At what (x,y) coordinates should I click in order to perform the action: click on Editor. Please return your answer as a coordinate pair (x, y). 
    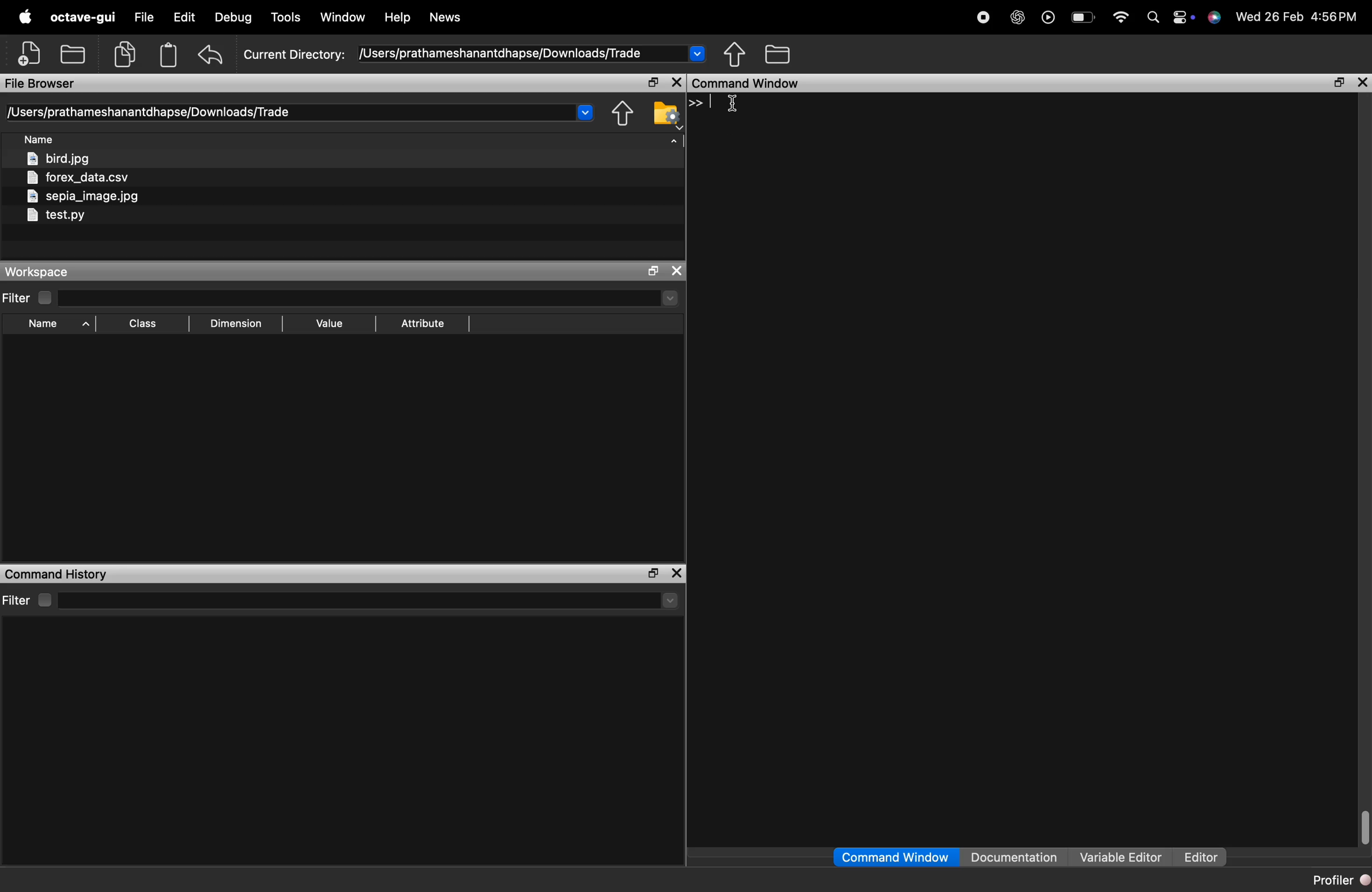
    Looking at the image, I should click on (1201, 857).